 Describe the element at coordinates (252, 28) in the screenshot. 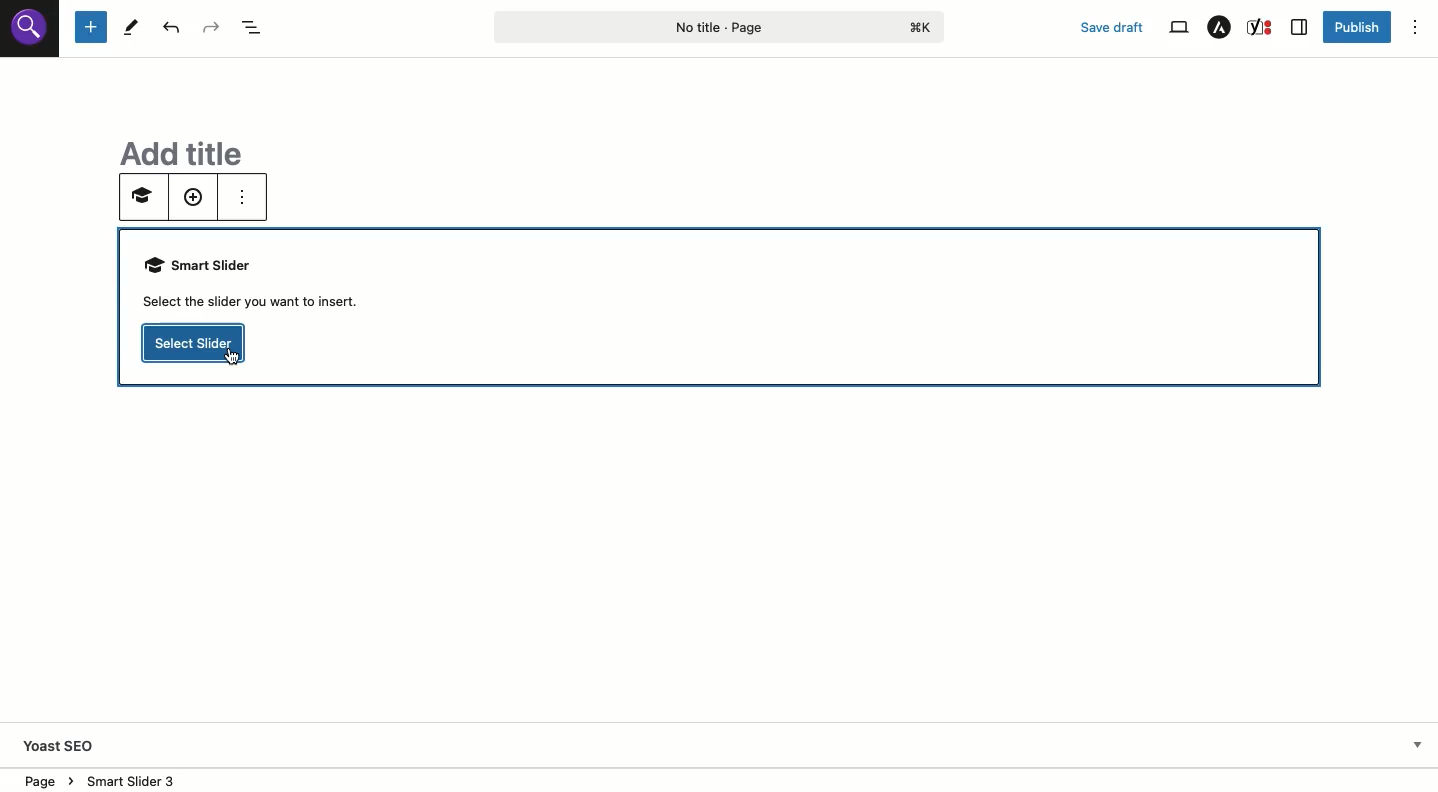

I see `Document overview` at that location.